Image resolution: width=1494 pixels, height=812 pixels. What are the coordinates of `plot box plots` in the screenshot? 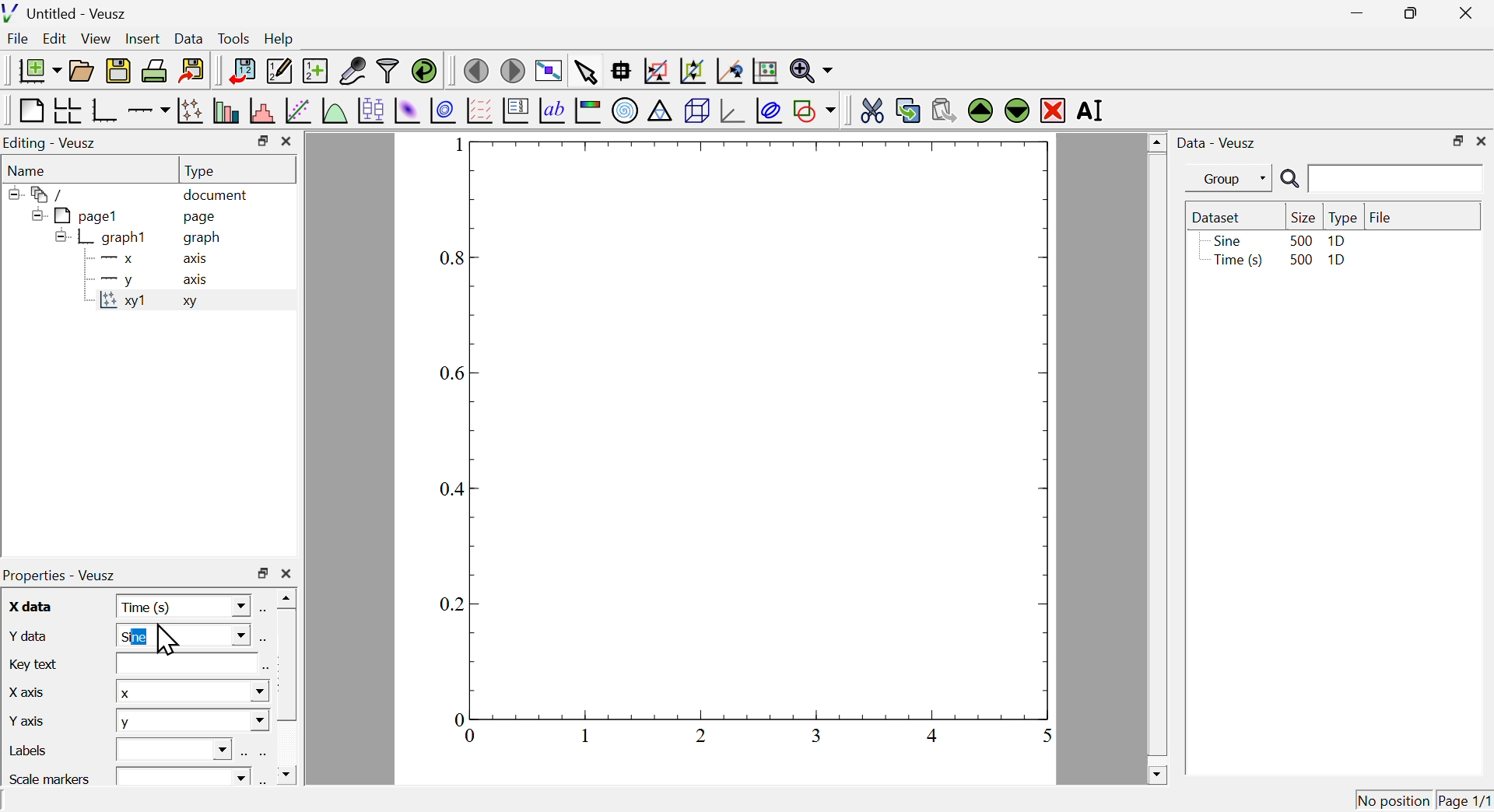 It's located at (370, 109).